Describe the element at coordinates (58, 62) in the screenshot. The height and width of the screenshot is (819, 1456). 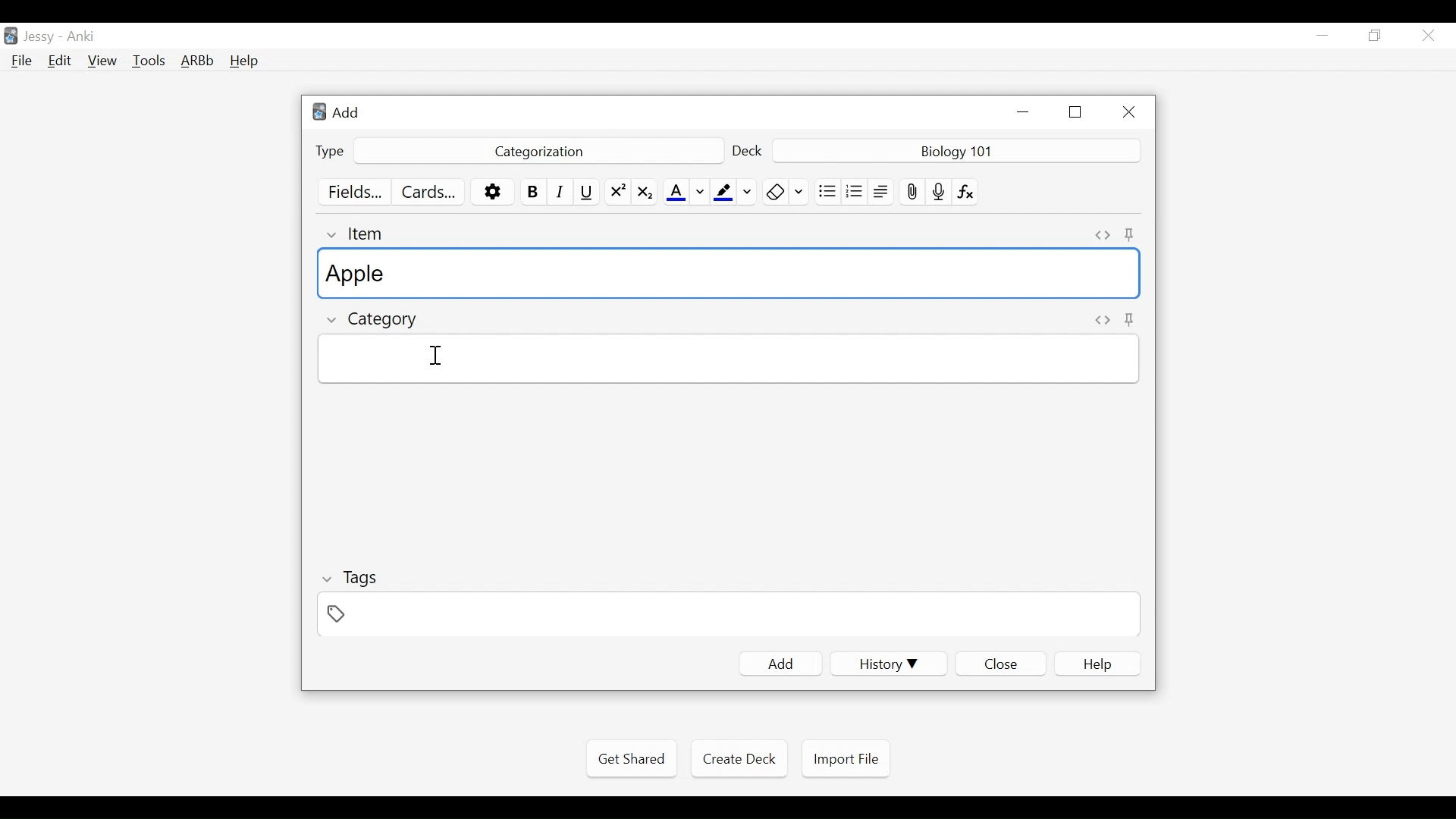
I see `Edit` at that location.